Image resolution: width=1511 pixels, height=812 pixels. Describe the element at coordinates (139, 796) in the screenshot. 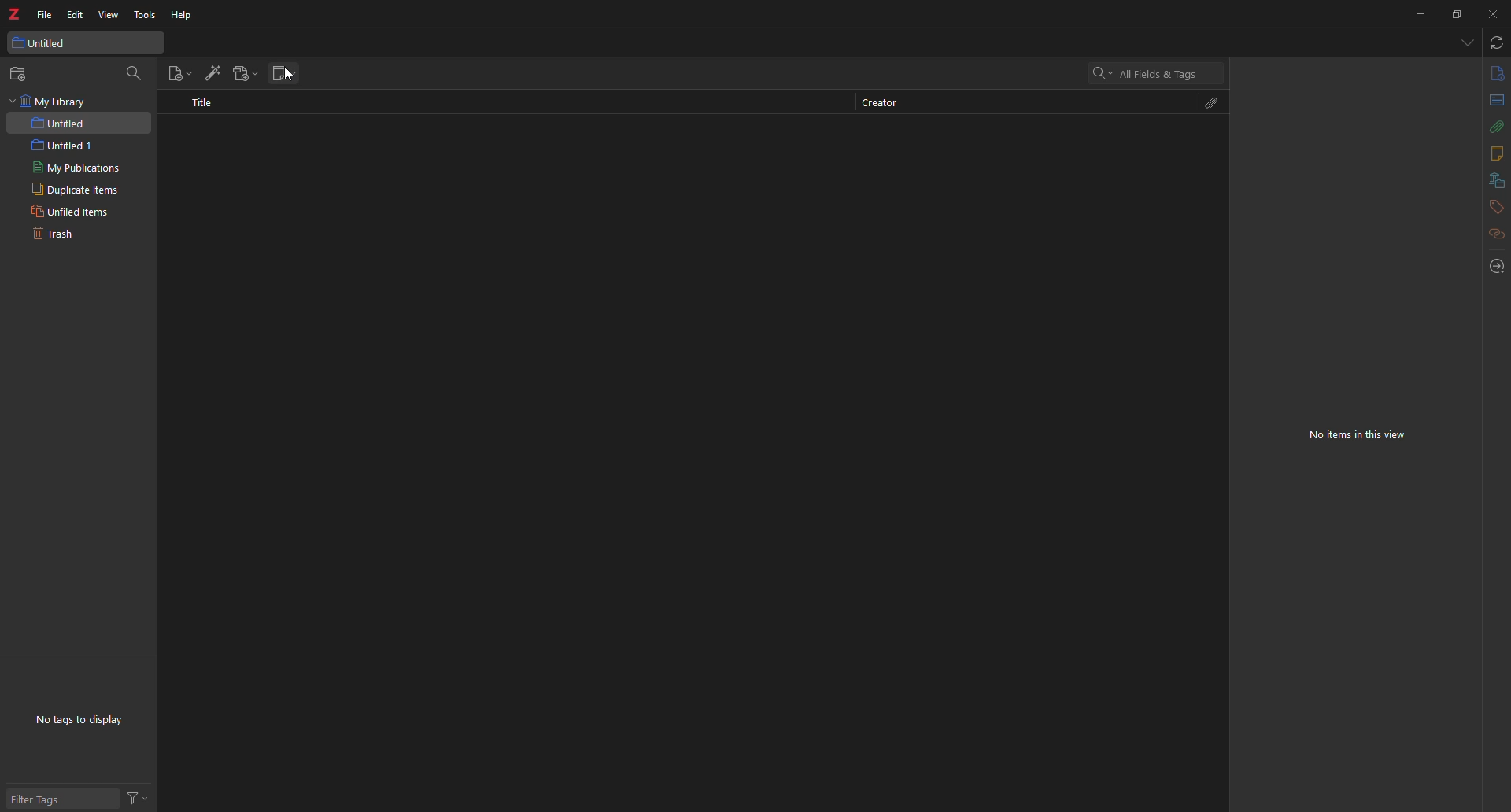

I see `actions` at that location.